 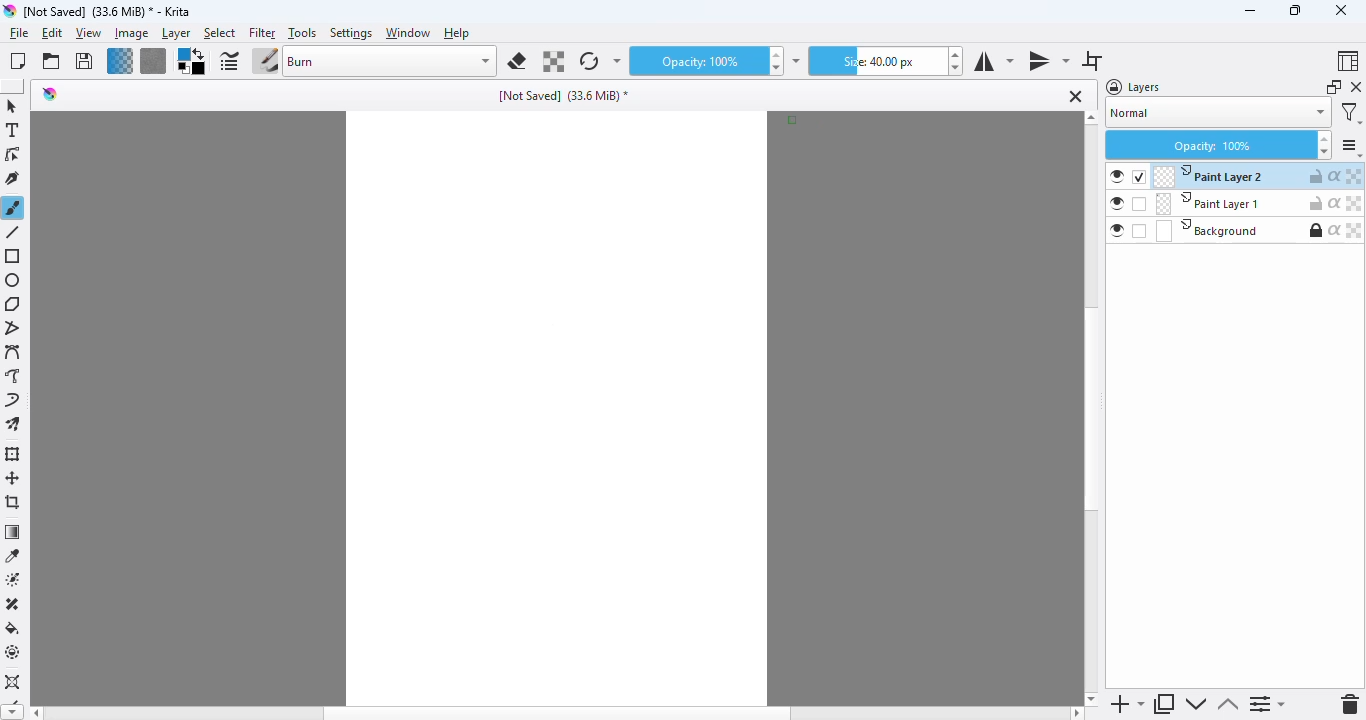 I want to click on choose brush preset, so click(x=265, y=62).